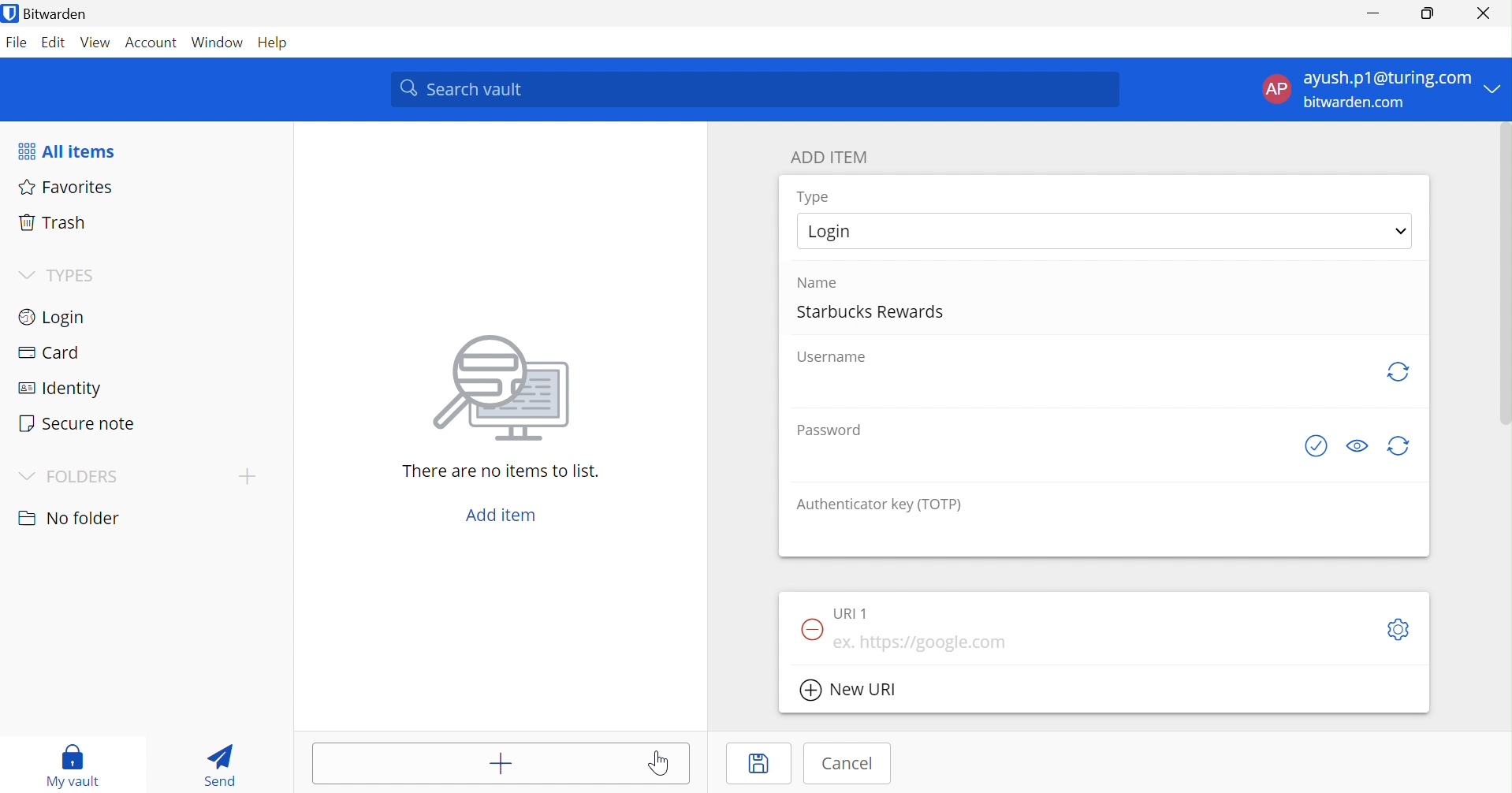  Describe the element at coordinates (831, 158) in the screenshot. I see `ADD ITEM` at that location.